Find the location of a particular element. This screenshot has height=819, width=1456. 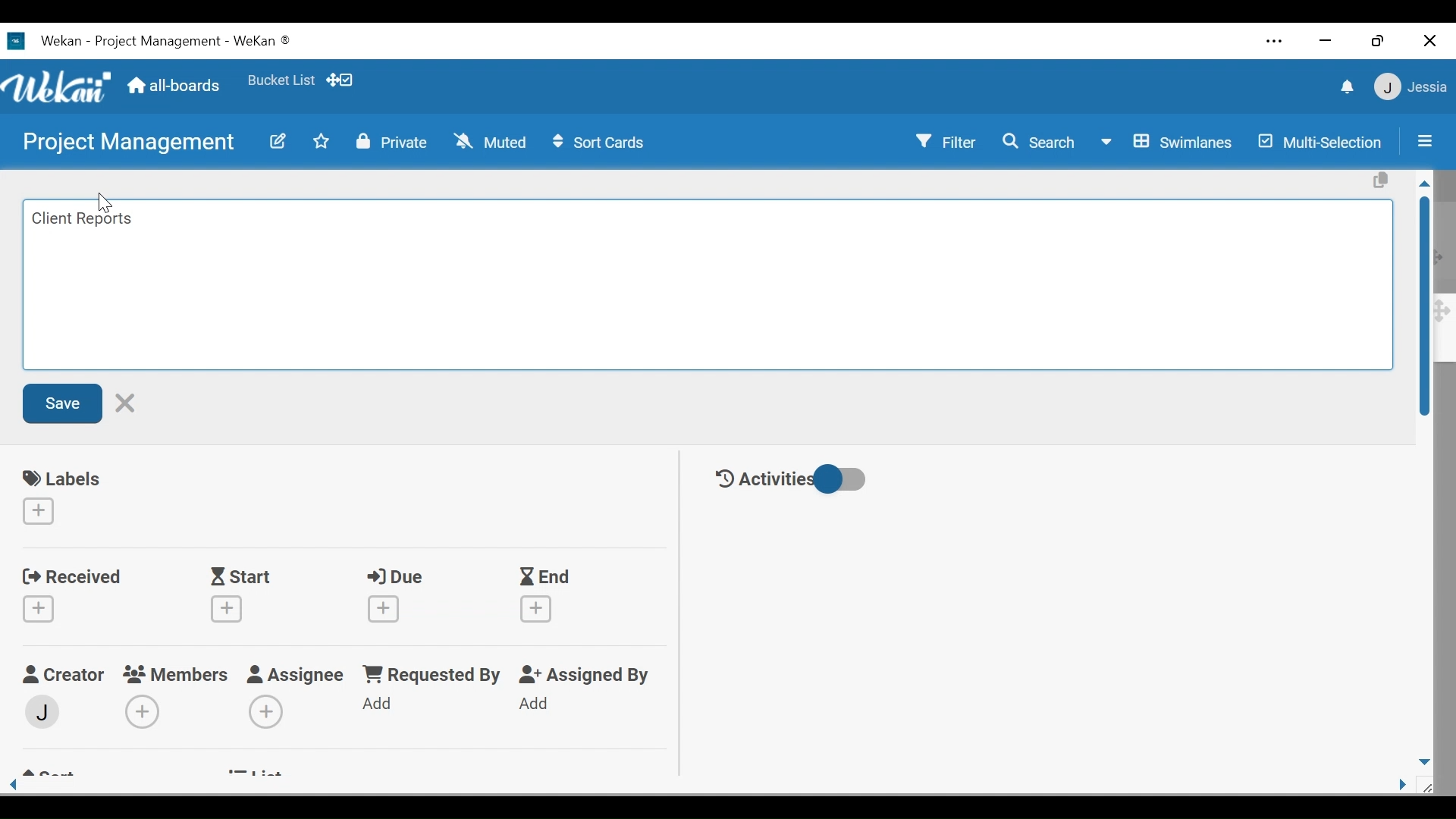

Assignee is located at coordinates (294, 676).